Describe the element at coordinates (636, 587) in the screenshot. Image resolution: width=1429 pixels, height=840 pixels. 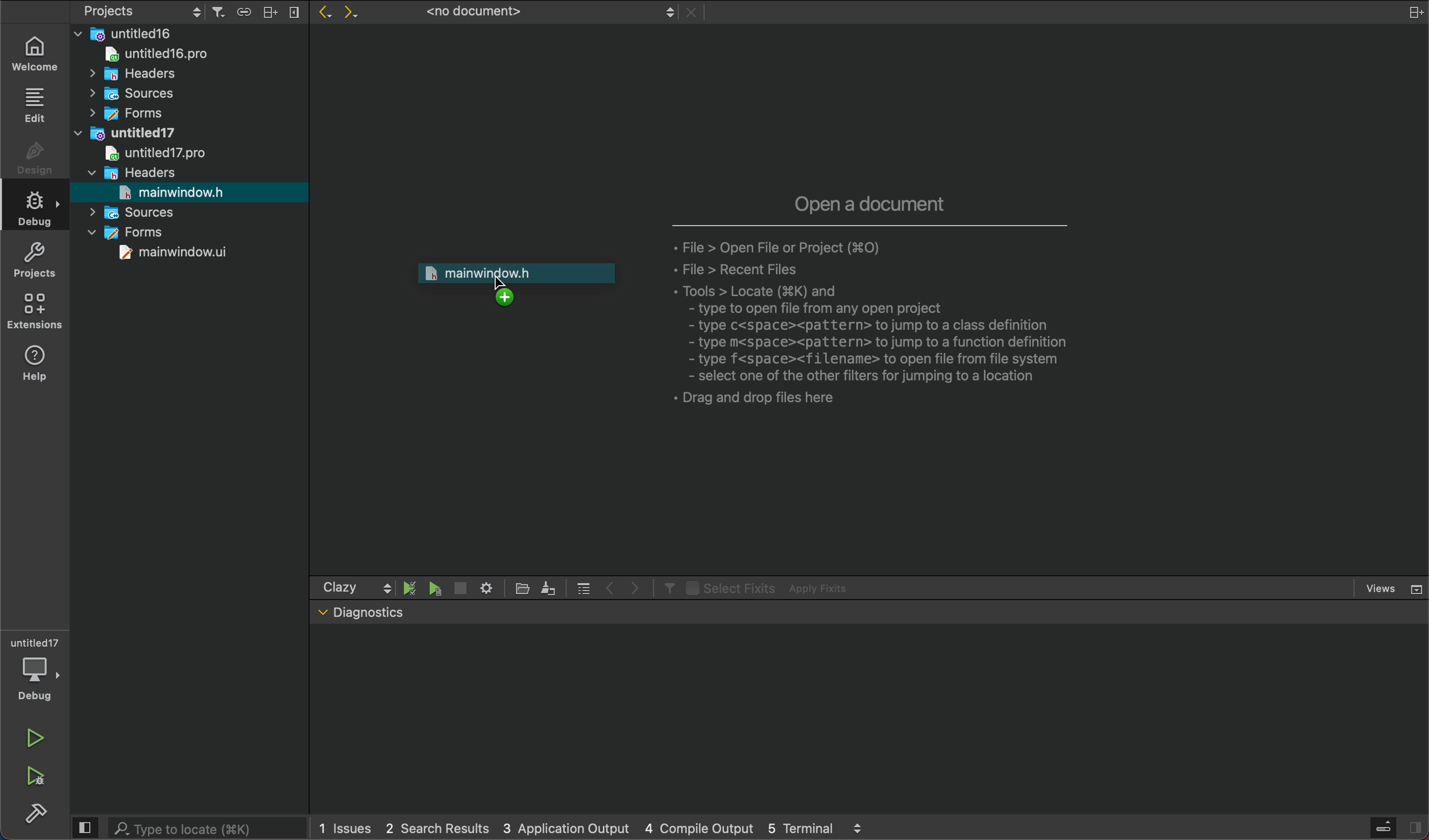
I see `Next` at that location.